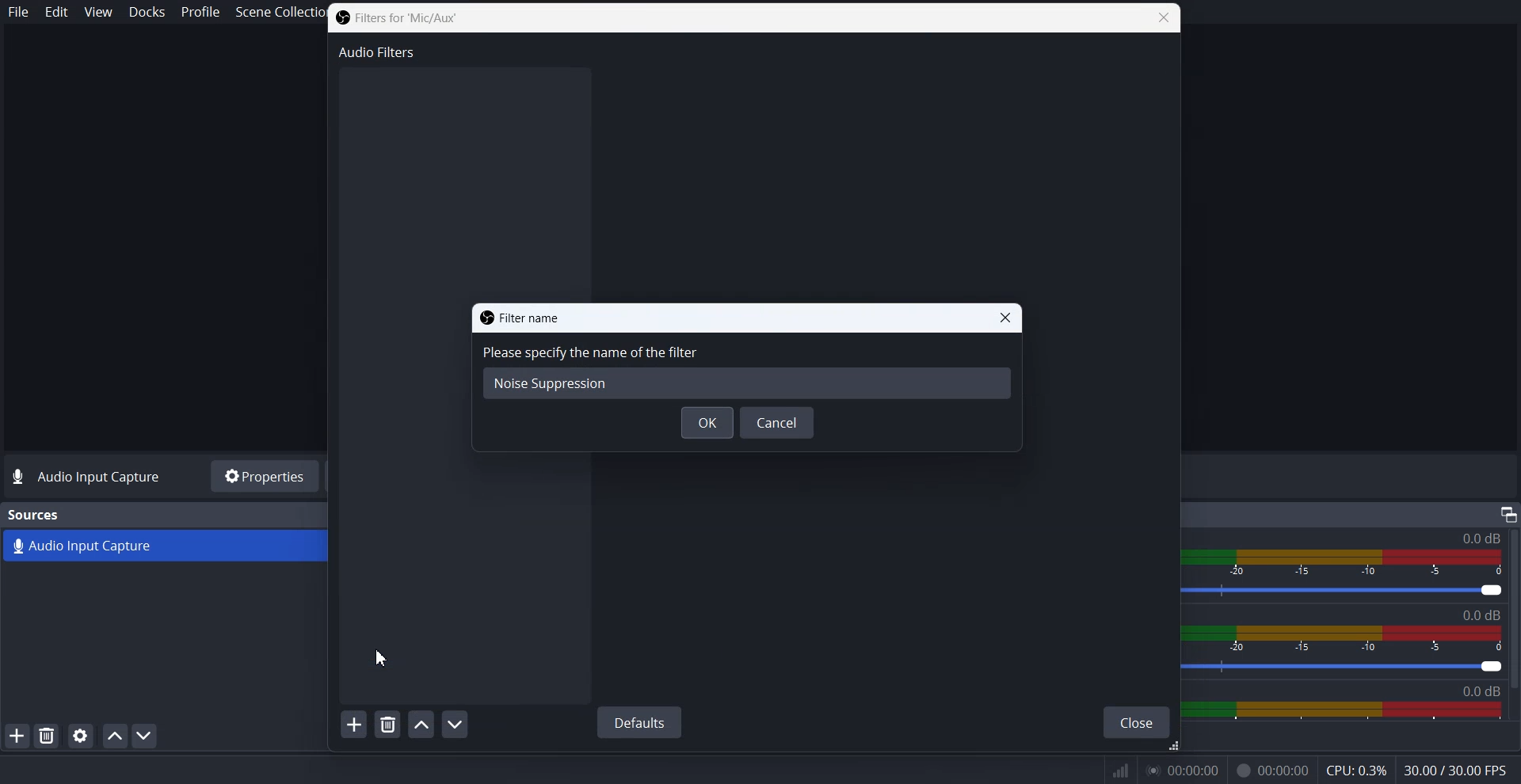 Image resolution: width=1521 pixels, height=784 pixels. Describe the element at coordinates (47, 735) in the screenshot. I see `Remove Selected Source` at that location.